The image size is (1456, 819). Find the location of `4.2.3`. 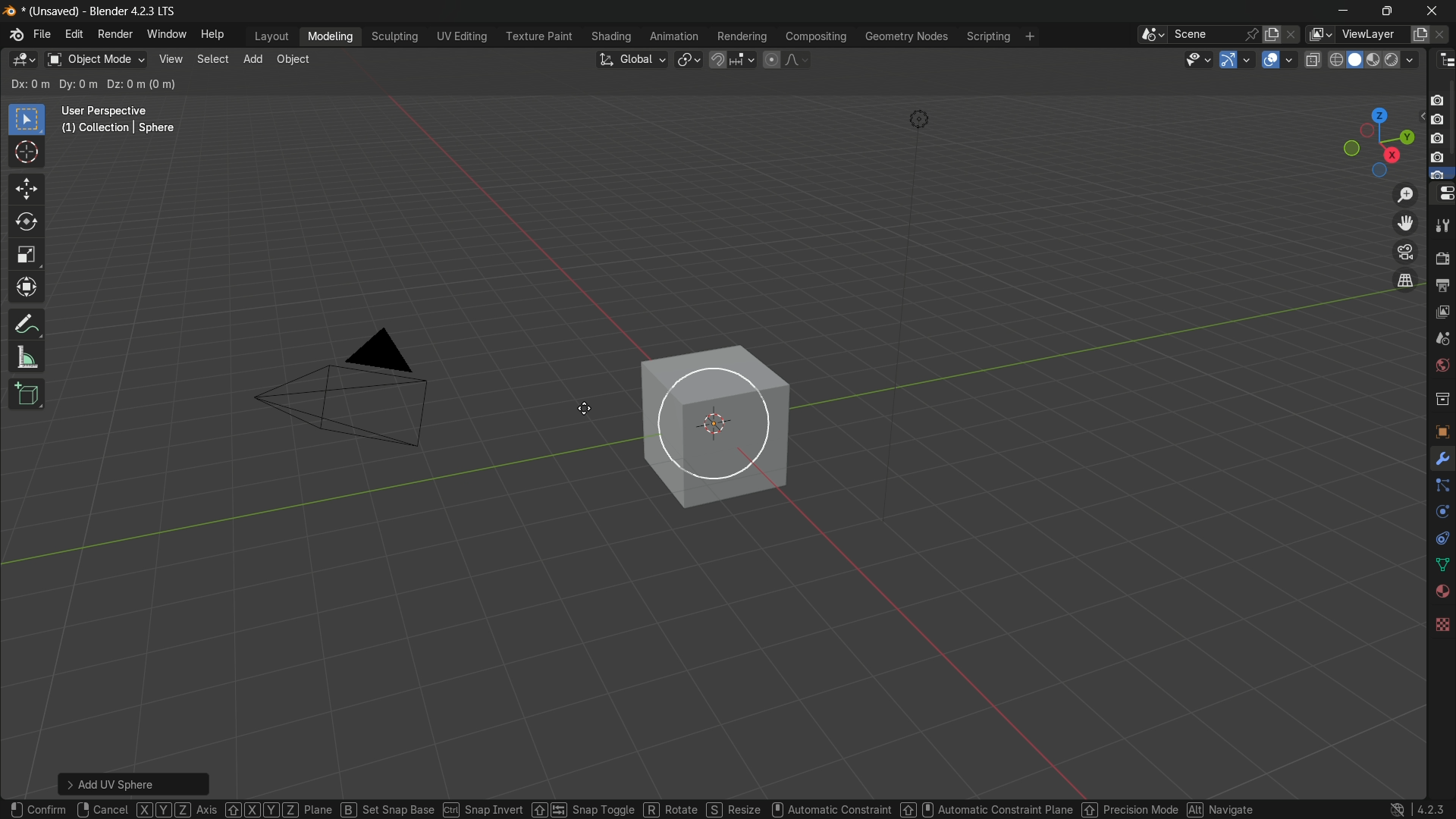

4.2.3 is located at coordinates (1432, 808).